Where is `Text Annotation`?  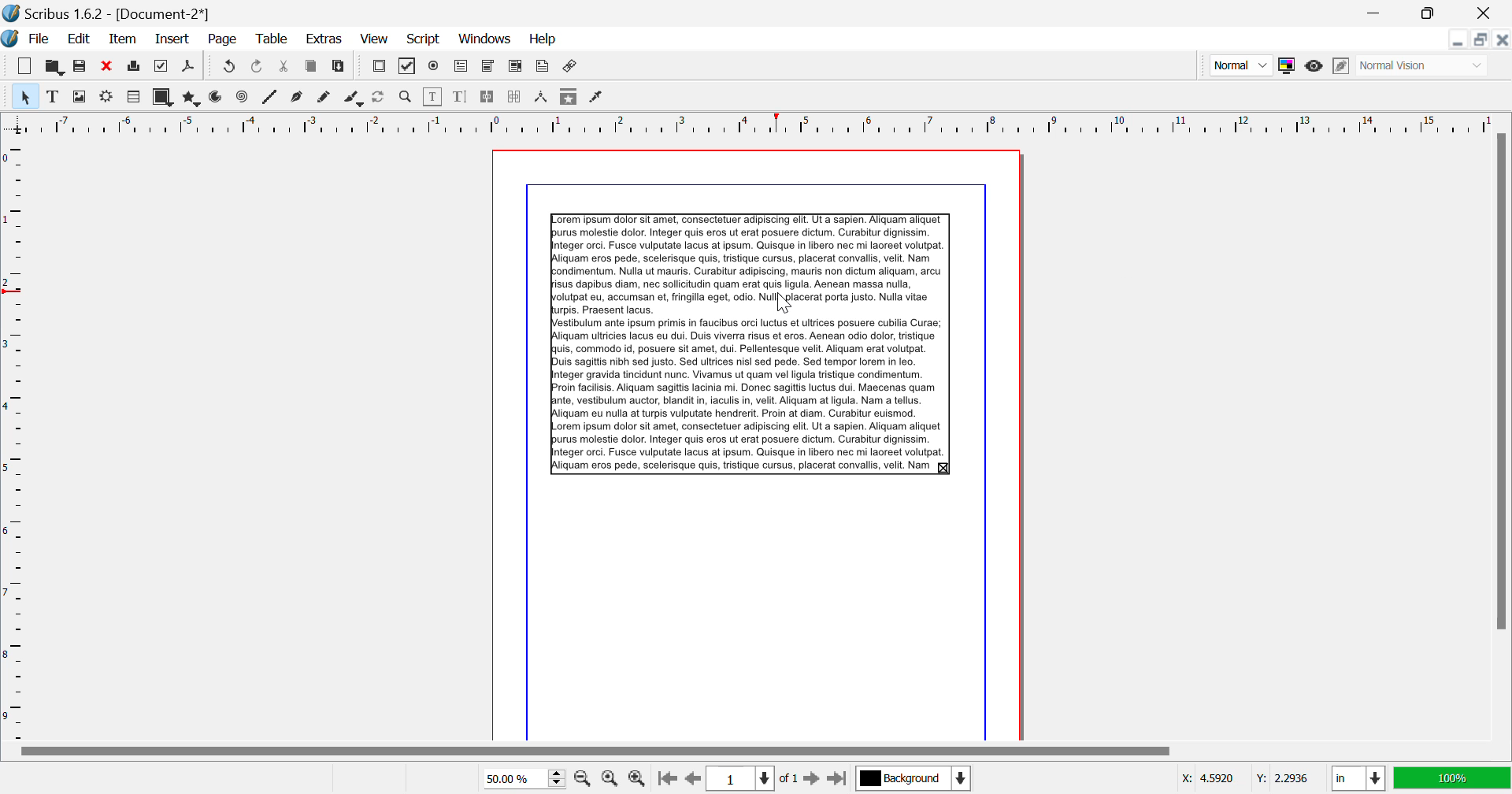 Text Annotation is located at coordinates (542, 68).